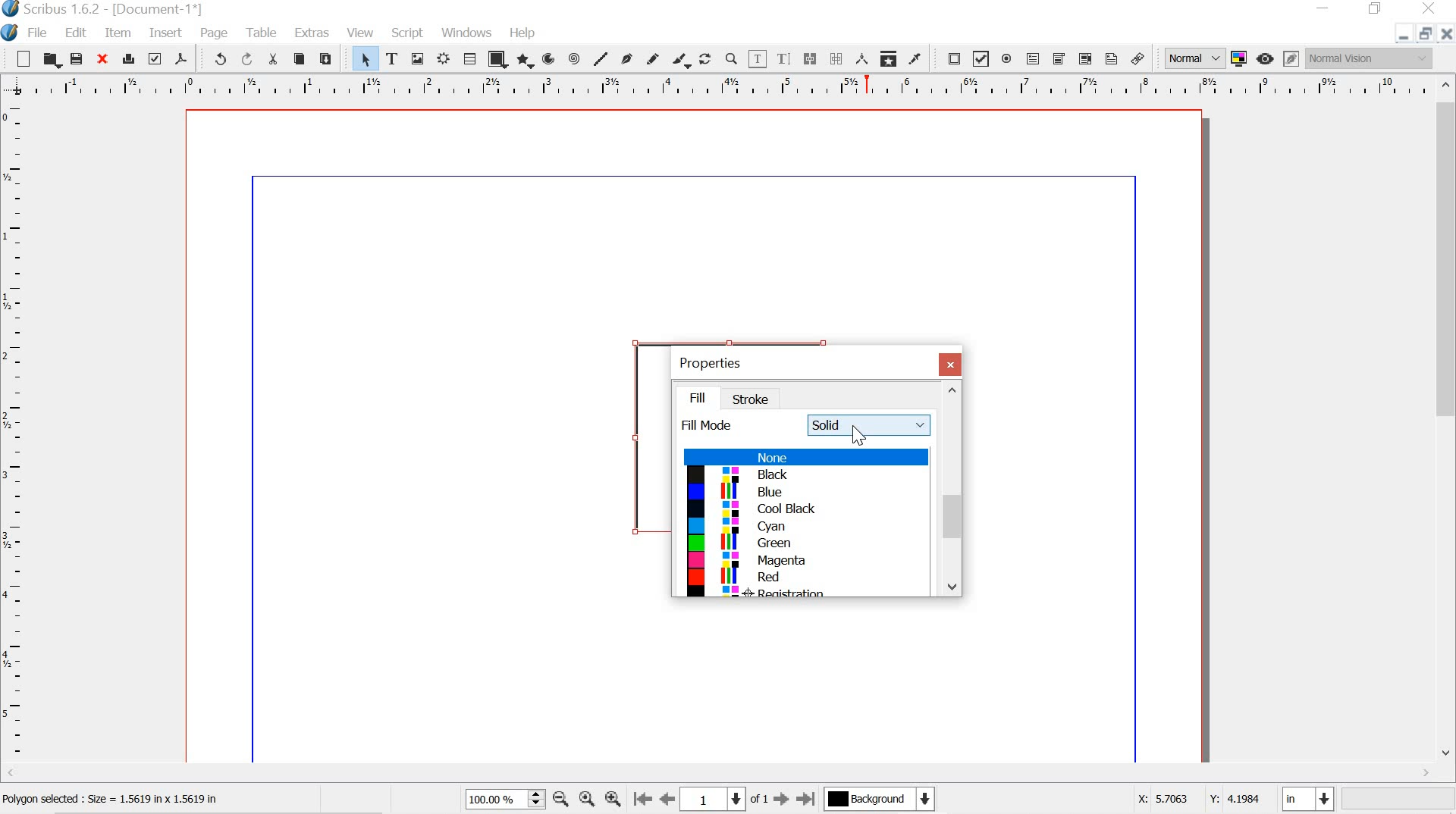 The width and height of the screenshot is (1456, 814). Describe the element at coordinates (1194, 58) in the screenshot. I see `normal` at that location.